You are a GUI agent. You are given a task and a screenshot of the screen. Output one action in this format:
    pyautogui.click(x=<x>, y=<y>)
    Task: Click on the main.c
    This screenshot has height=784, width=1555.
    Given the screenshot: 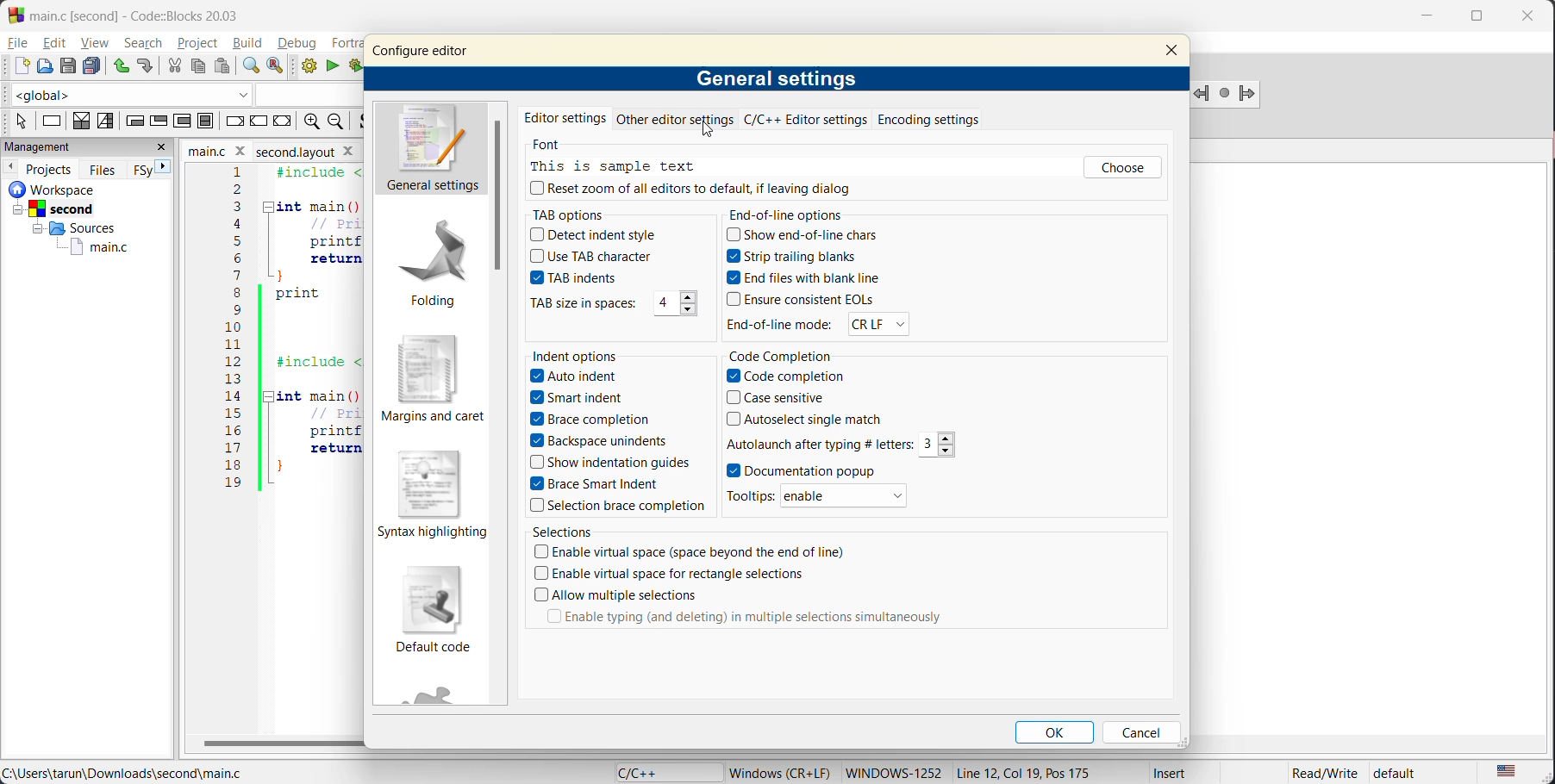 What is the action you would take?
    pyautogui.click(x=87, y=246)
    